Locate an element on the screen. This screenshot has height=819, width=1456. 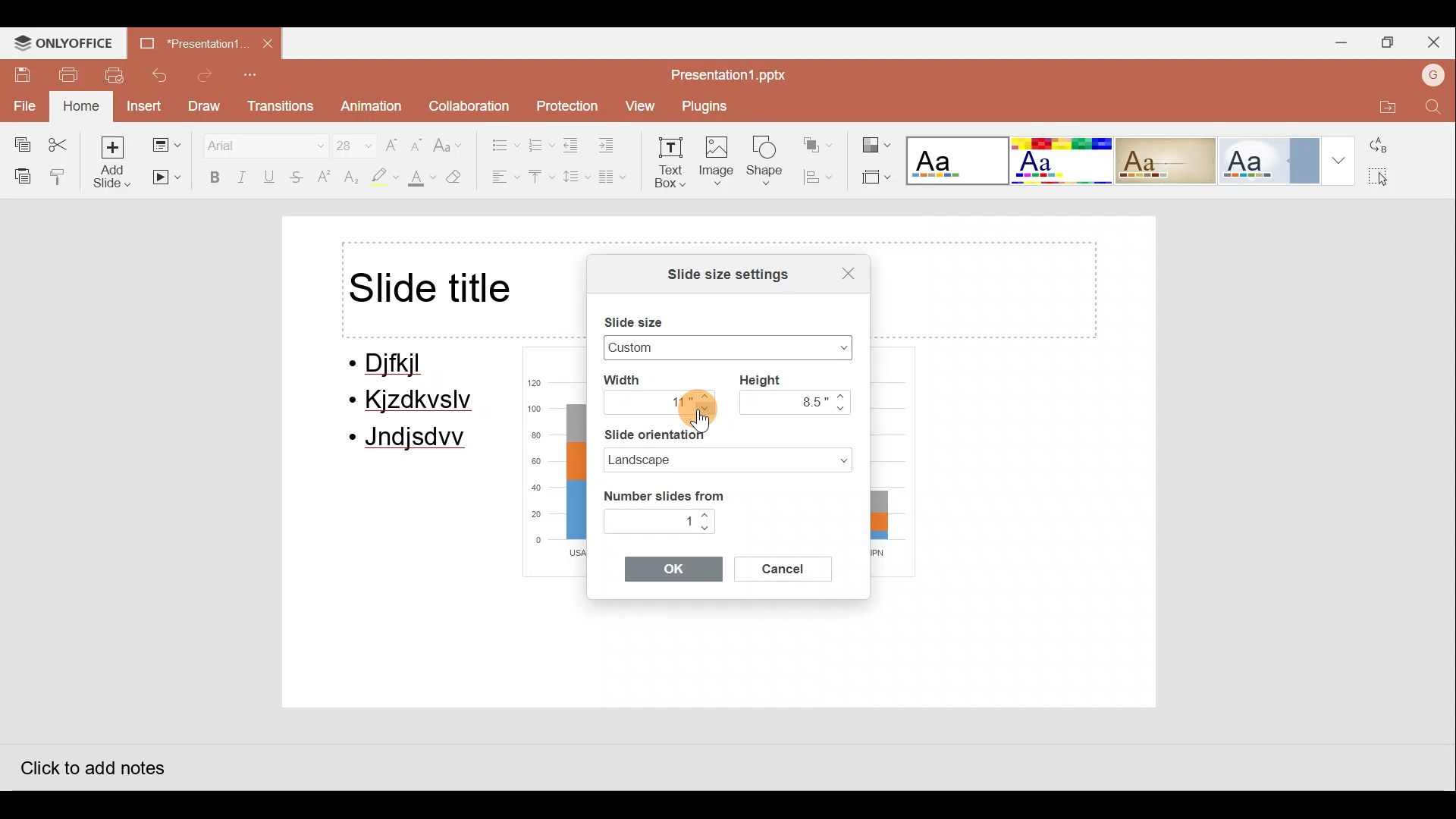
Change slide layout is located at coordinates (165, 142).